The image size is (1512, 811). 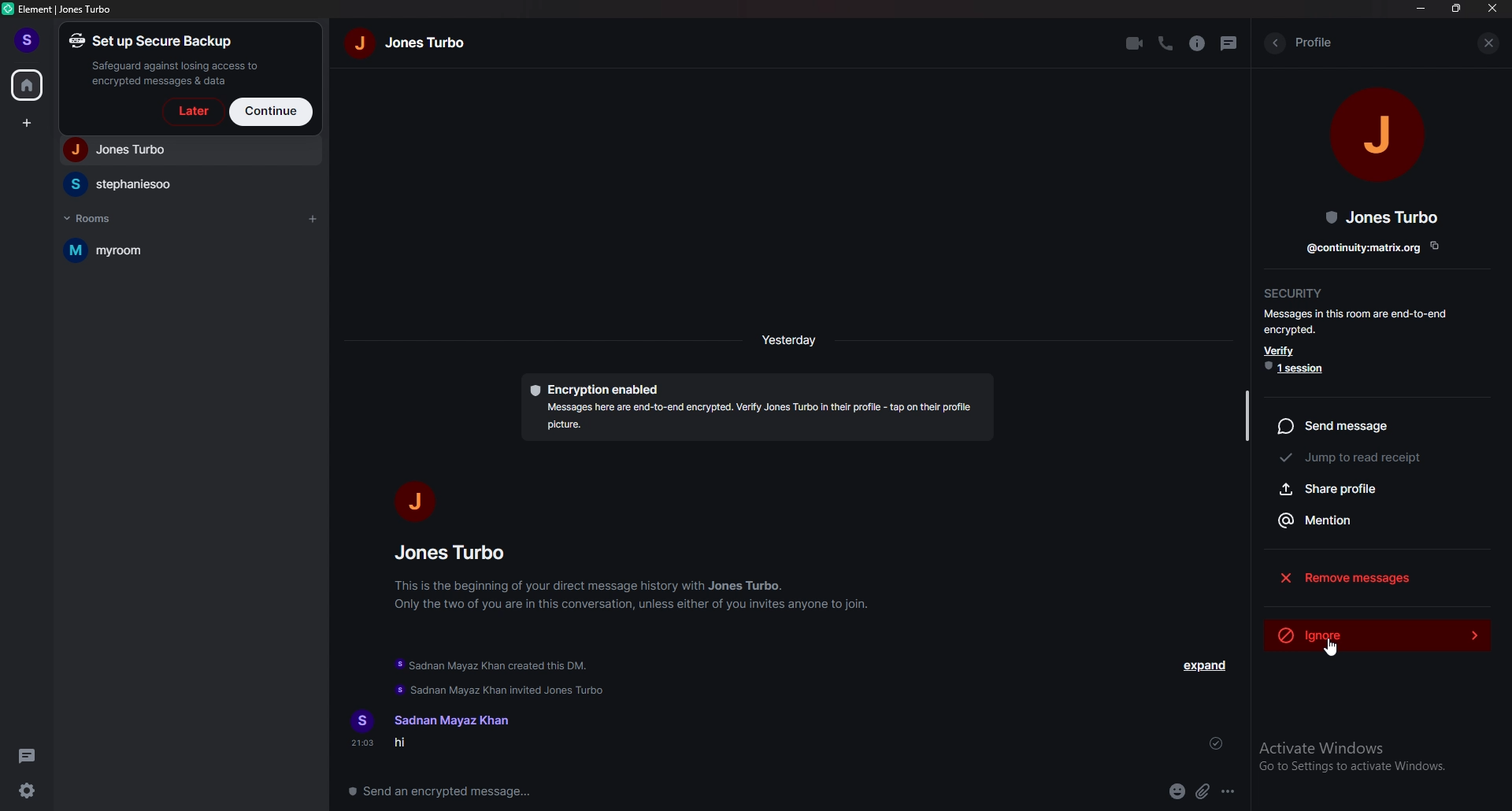 What do you see at coordinates (1274, 43) in the screenshot?
I see `back` at bounding box center [1274, 43].